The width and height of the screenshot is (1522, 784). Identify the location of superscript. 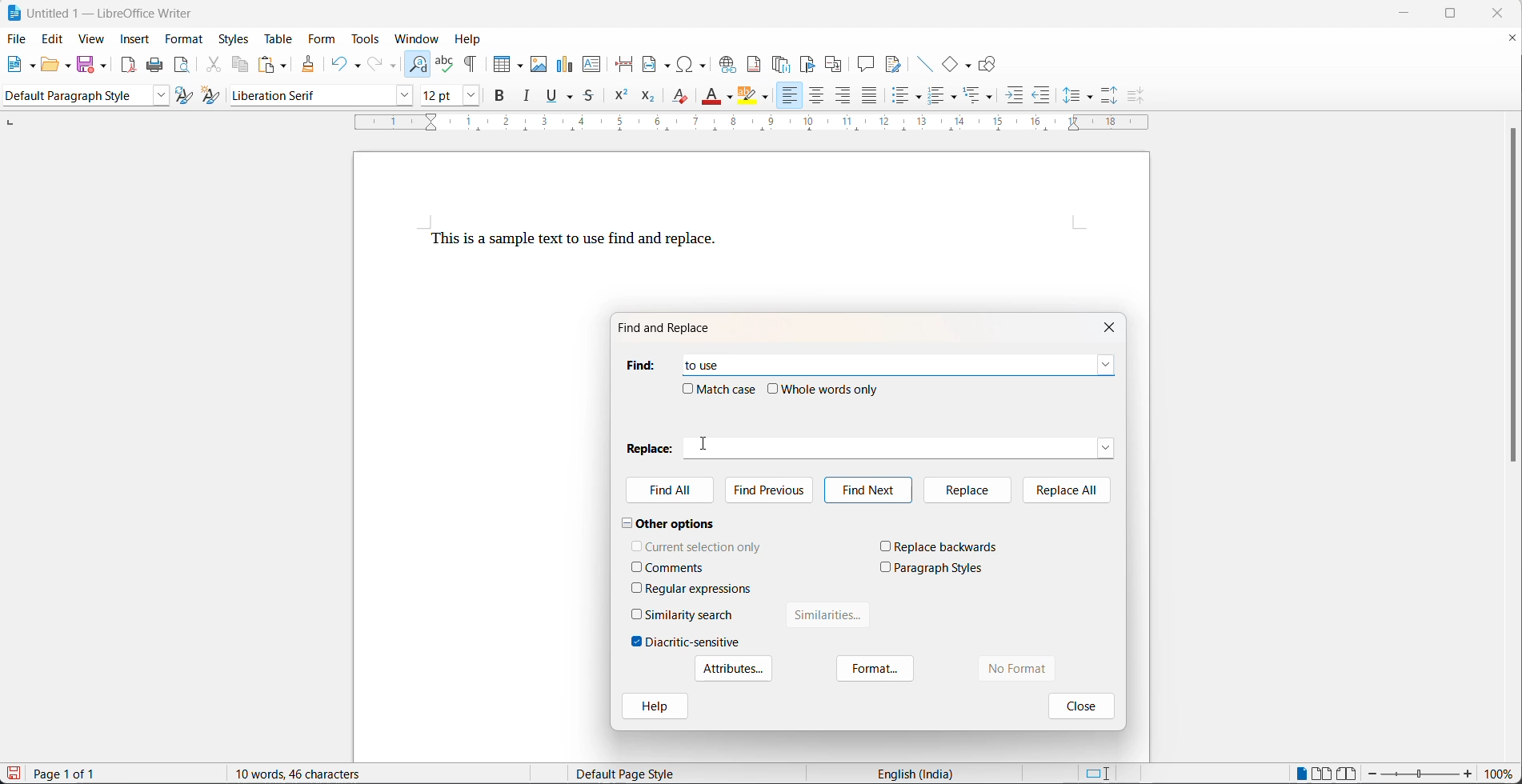
(620, 99).